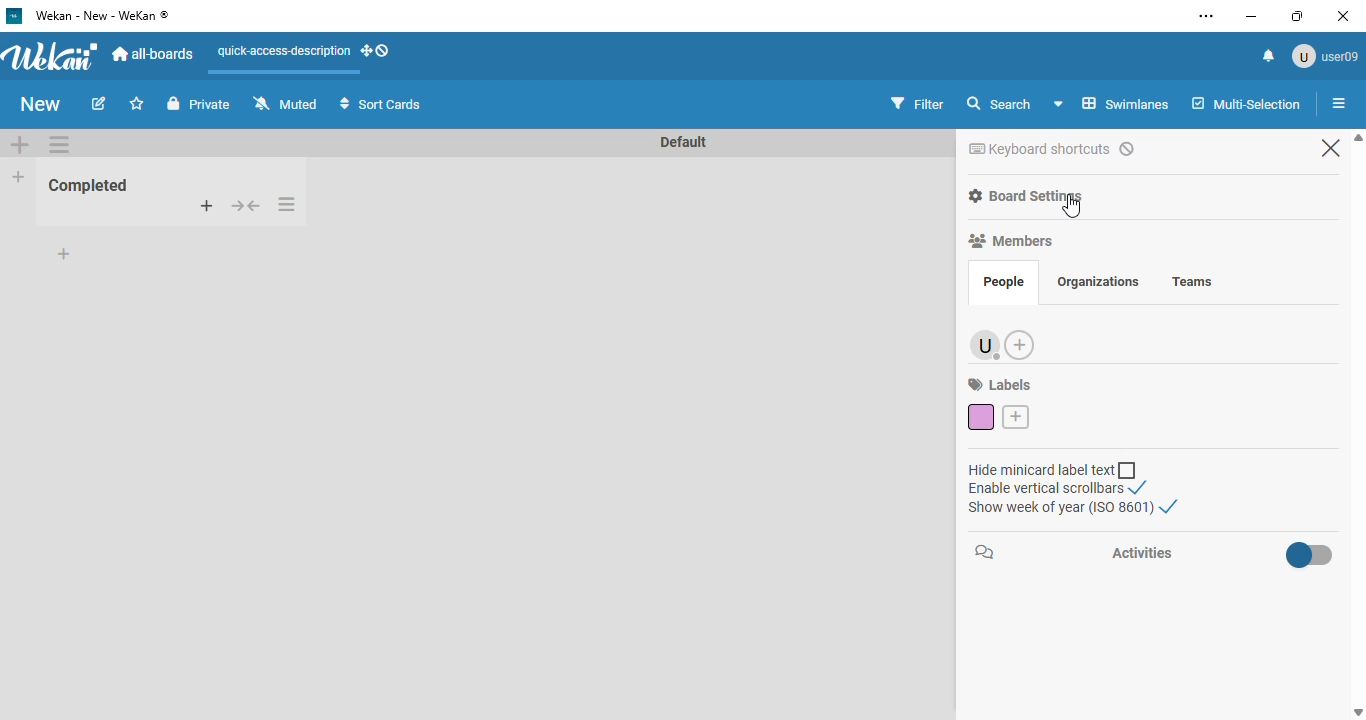 The width and height of the screenshot is (1366, 720). What do you see at coordinates (286, 204) in the screenshot?
I see `list actions` at bounding box center [286, 204].